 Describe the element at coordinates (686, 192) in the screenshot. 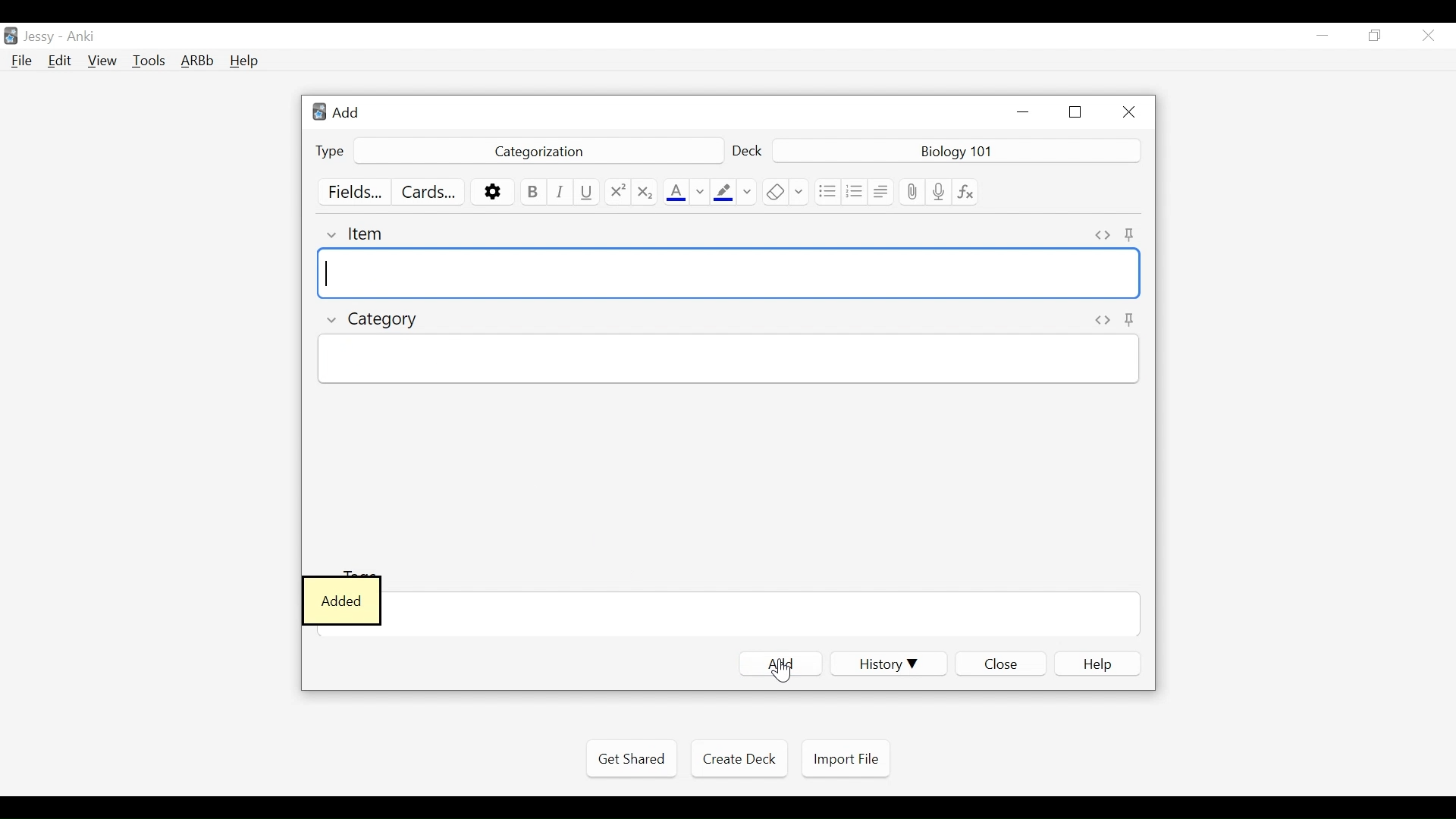

I see `Text Color` at that location.